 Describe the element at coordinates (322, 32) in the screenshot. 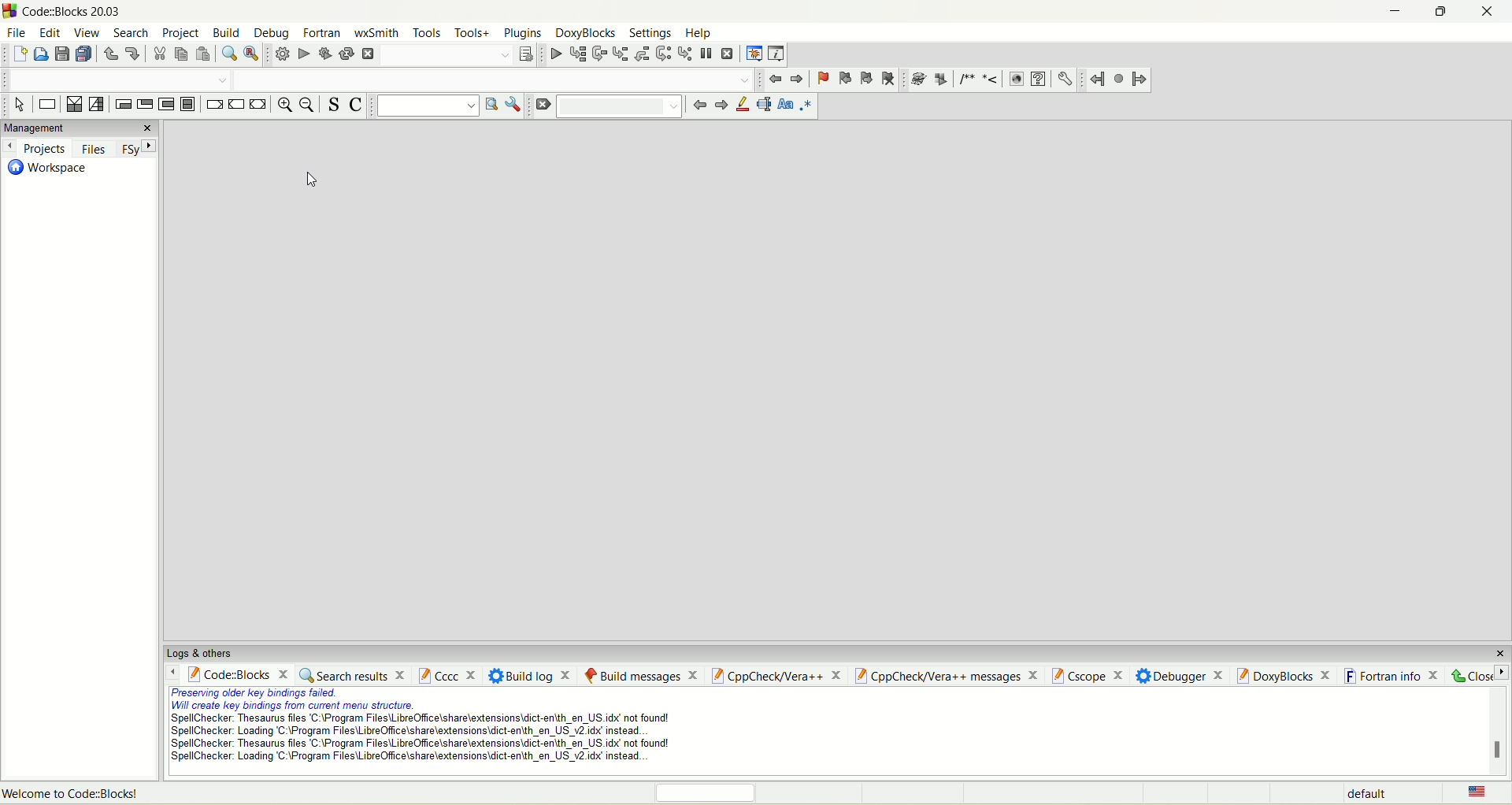

I see `Fortan` at that location.